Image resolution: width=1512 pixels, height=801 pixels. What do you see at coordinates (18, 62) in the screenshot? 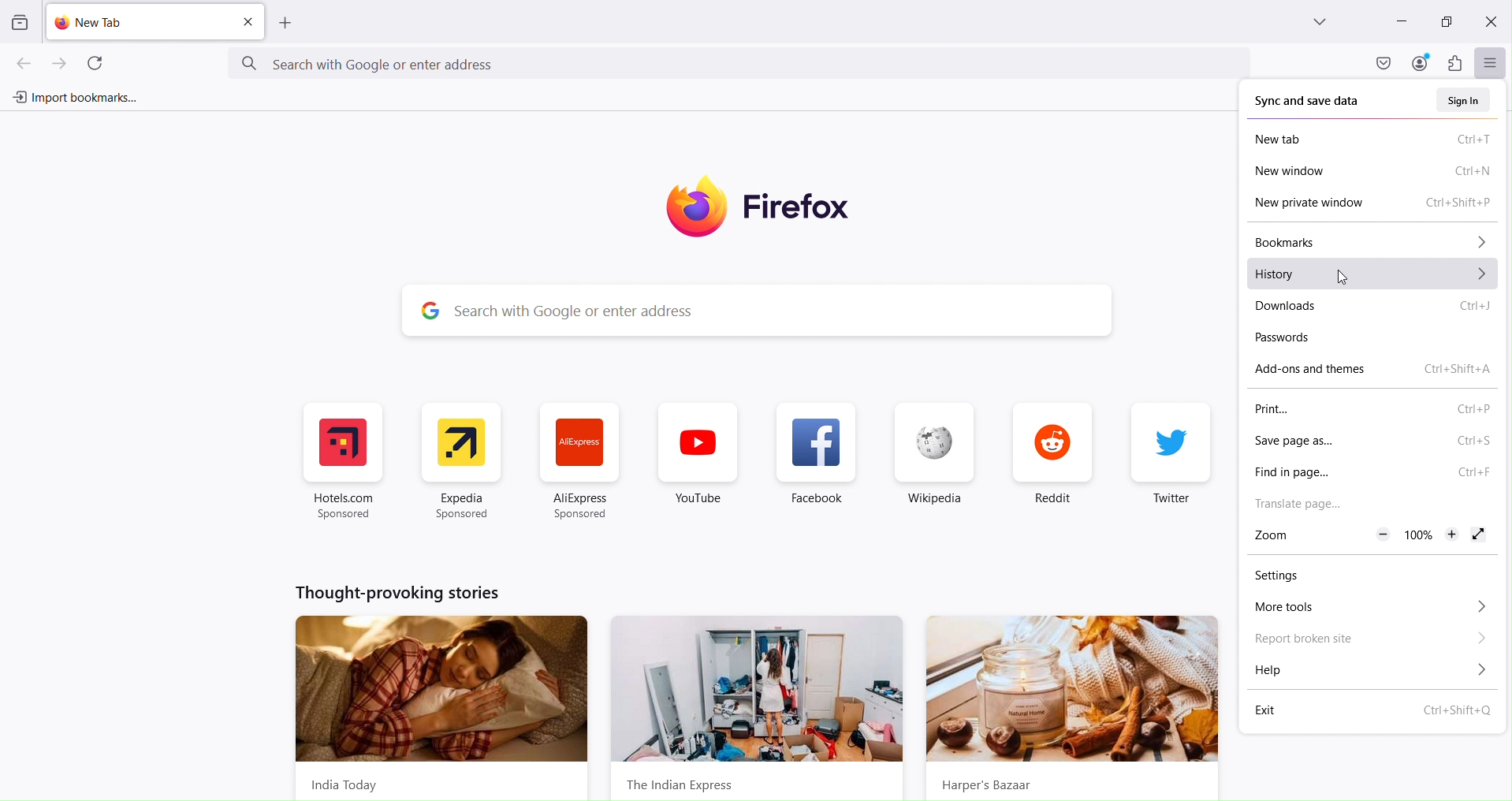
I see `Go backward one page` at bounding box center [18, 62].